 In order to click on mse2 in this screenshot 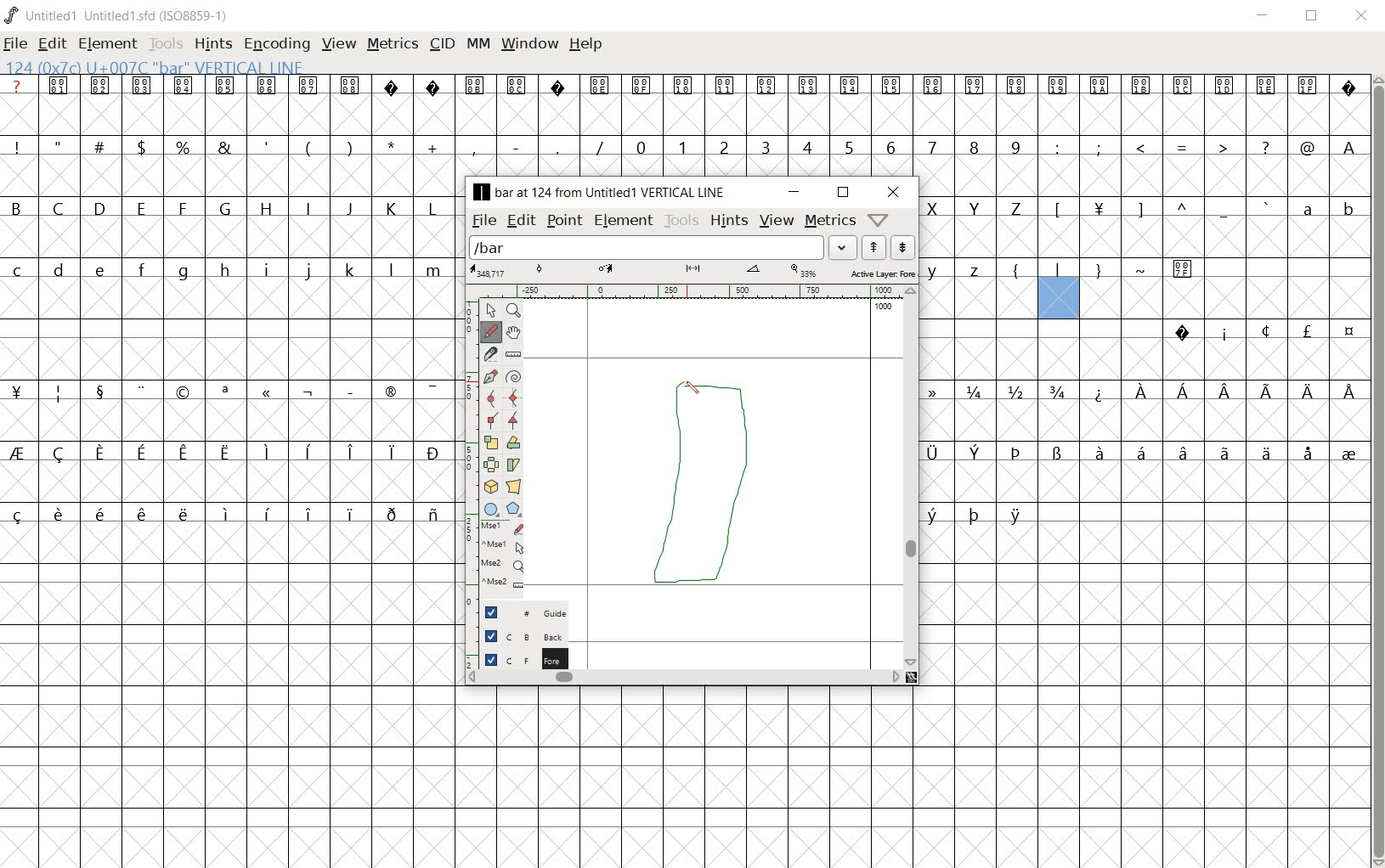, I will do `click(497, 586)`.